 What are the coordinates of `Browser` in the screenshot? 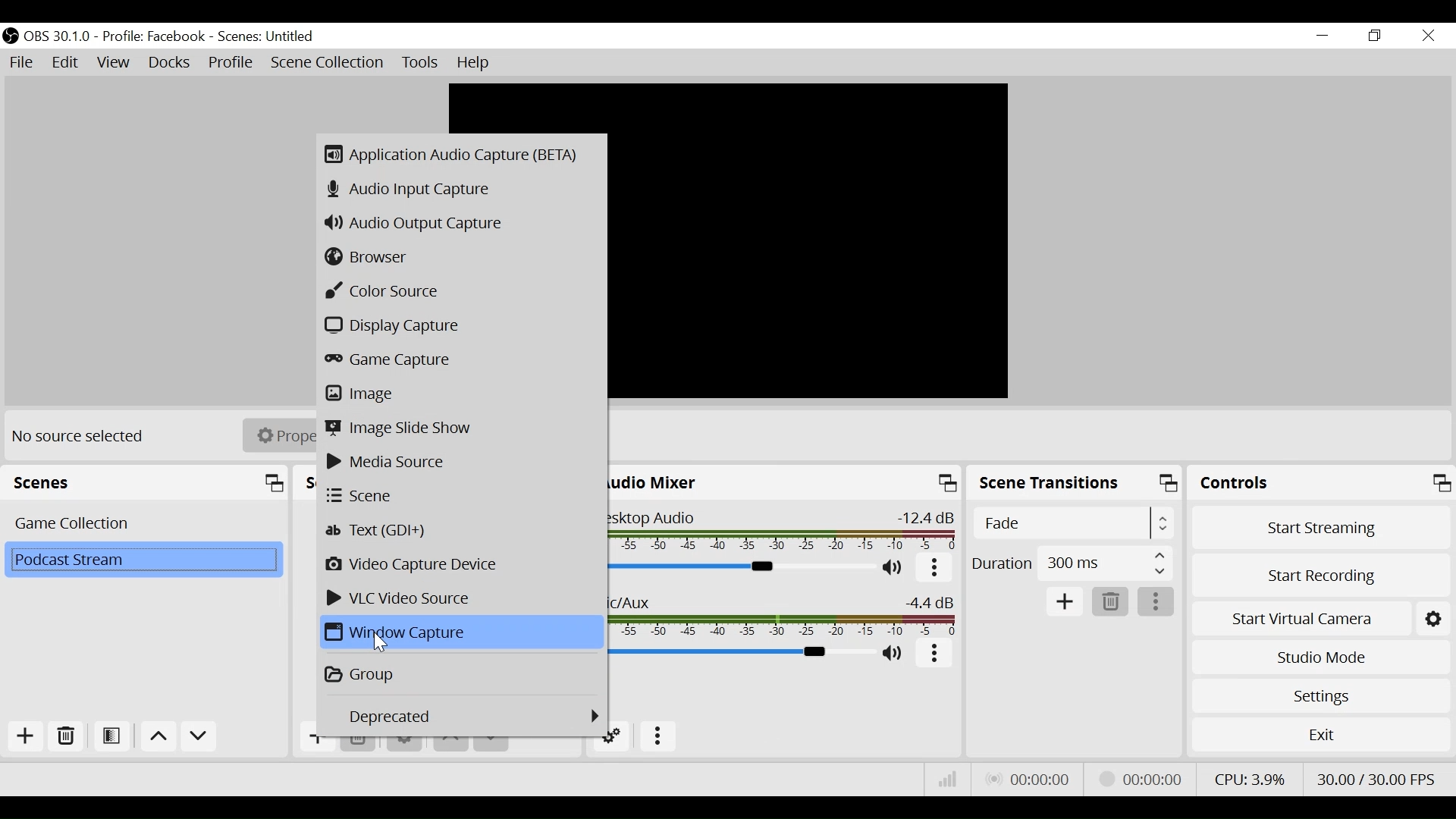 It's located at (460, 259).